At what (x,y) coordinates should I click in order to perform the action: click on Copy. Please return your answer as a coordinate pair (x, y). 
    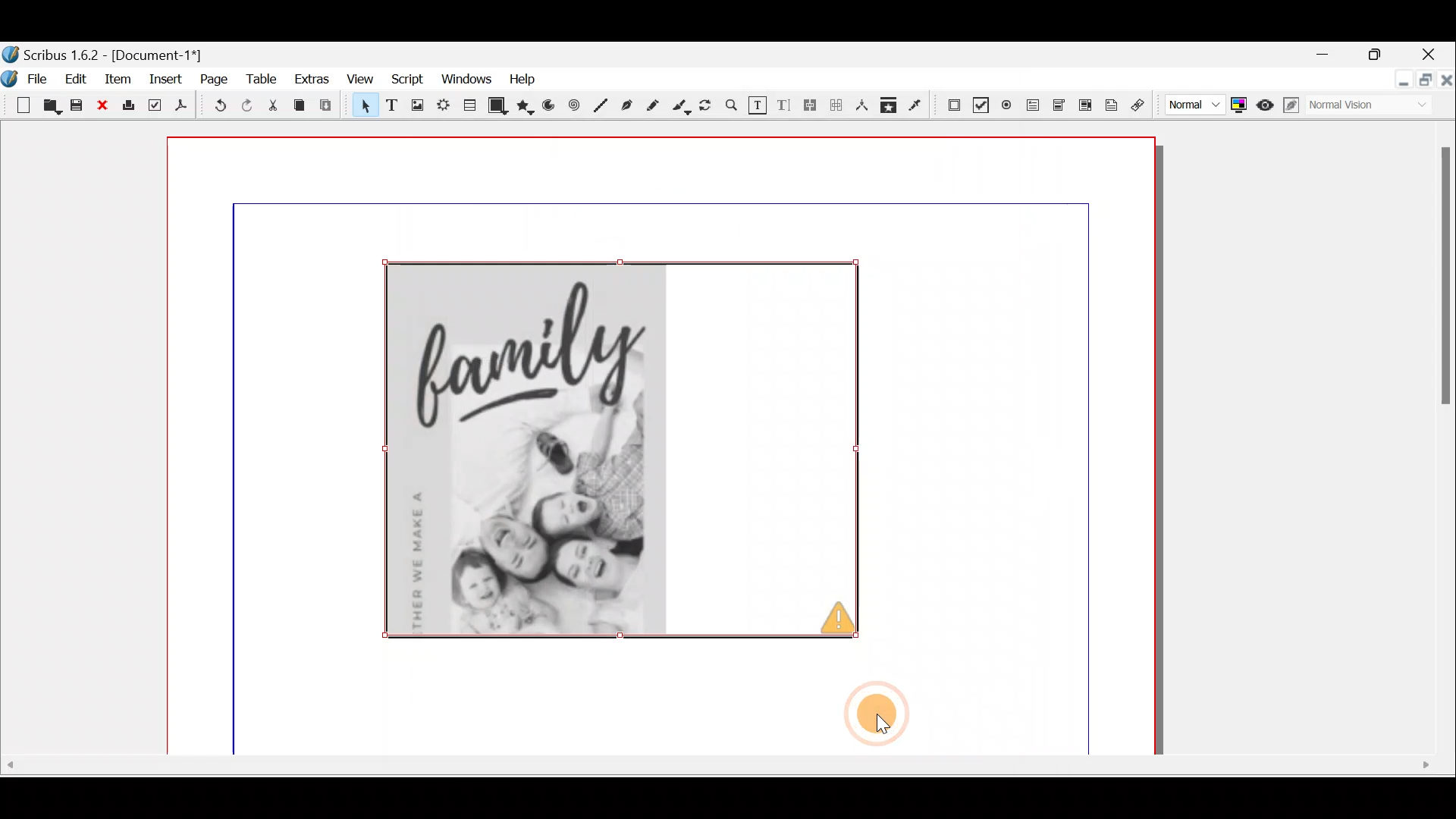
    Looking at the image, I should click on (303, 106).